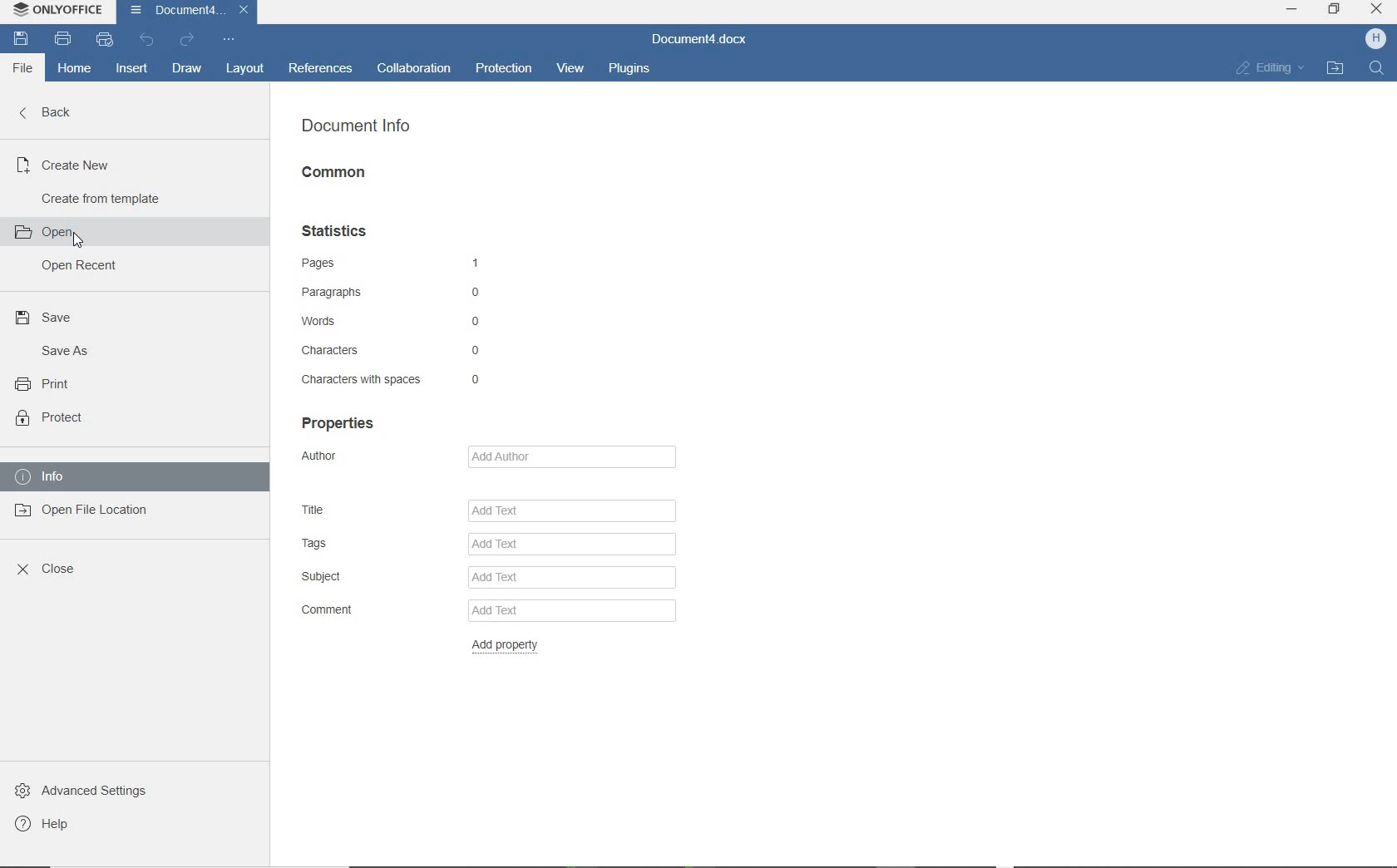 The image size is (1397, 868). What do you see at coordinates (332, 460) in the screenshot?
I see `author` at bounding box center [332, 460].